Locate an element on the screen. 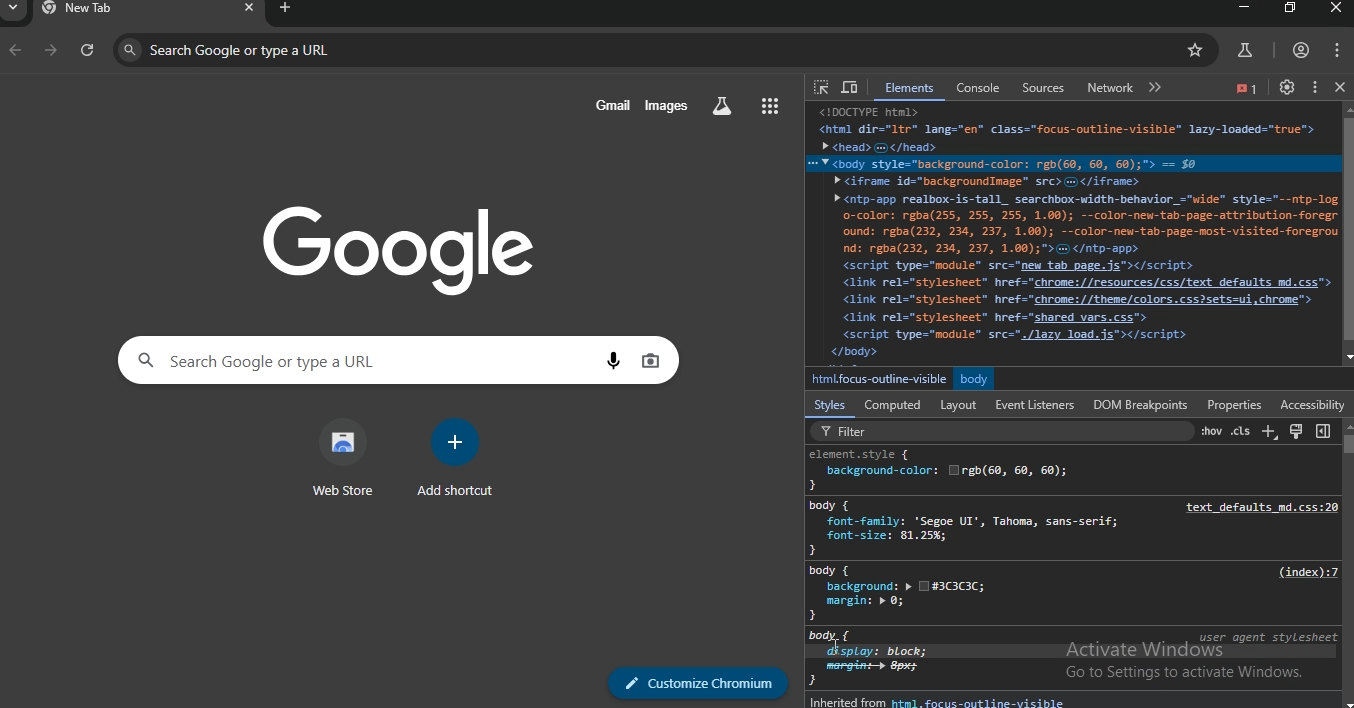  bookmark page is located at coordinates (1196, 51).